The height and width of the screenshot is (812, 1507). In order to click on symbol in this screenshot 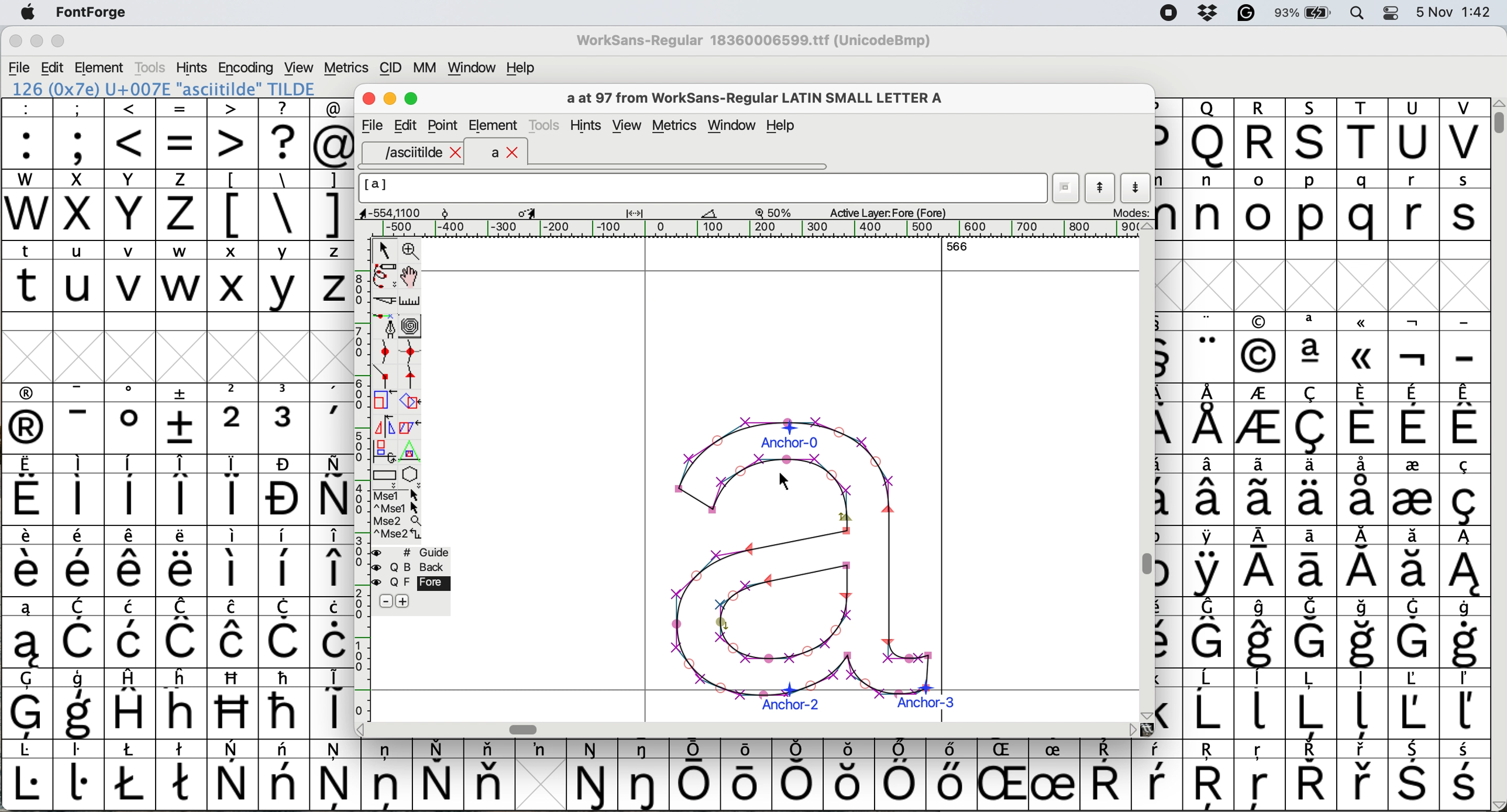, I will do `click(1412, 489)`.